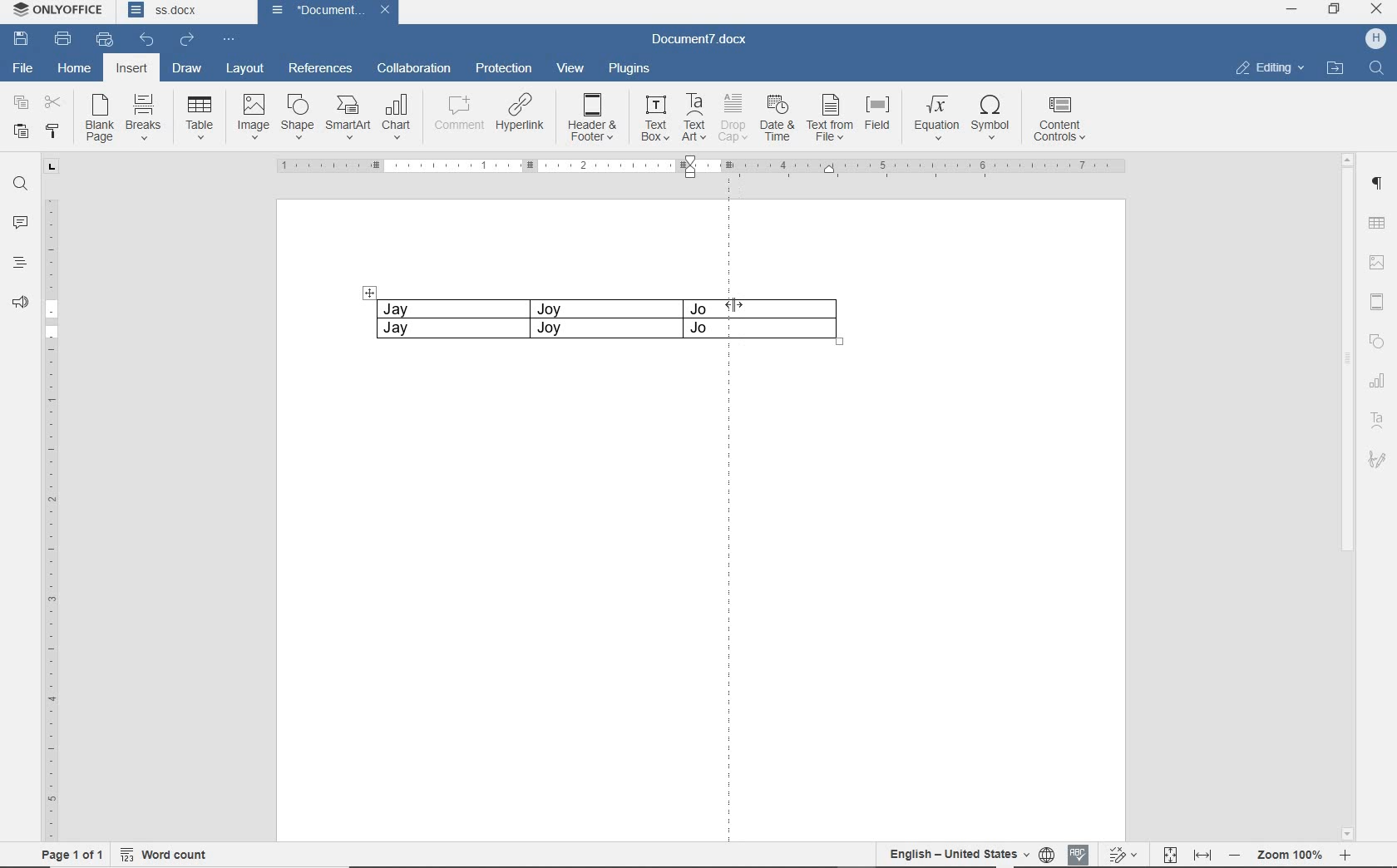 The image size is (1397, 868). What do you see at coordinates (521, 116) in the screenshot?
I see `HYPERLINK` at bounding box center [521, 116].